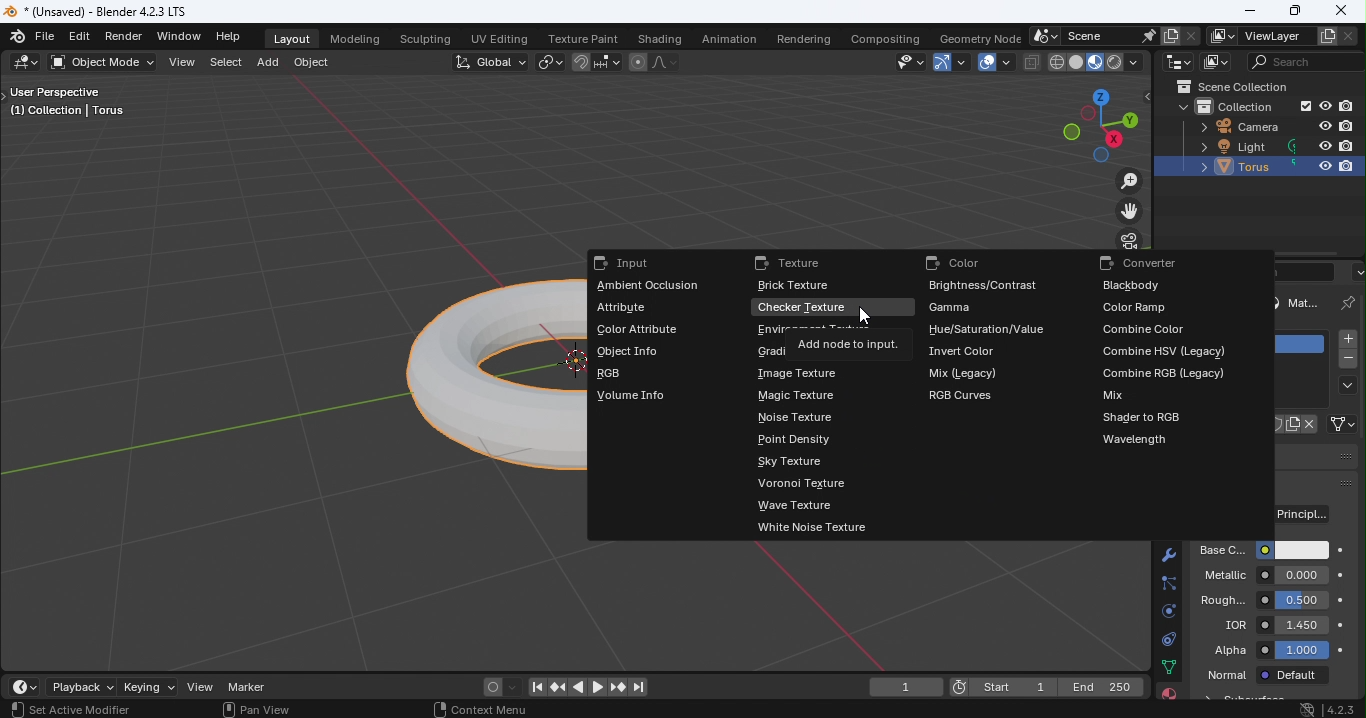  Describe the element at coordinates (1306, 272) in the screenshot. I see `Display filter` at that location.